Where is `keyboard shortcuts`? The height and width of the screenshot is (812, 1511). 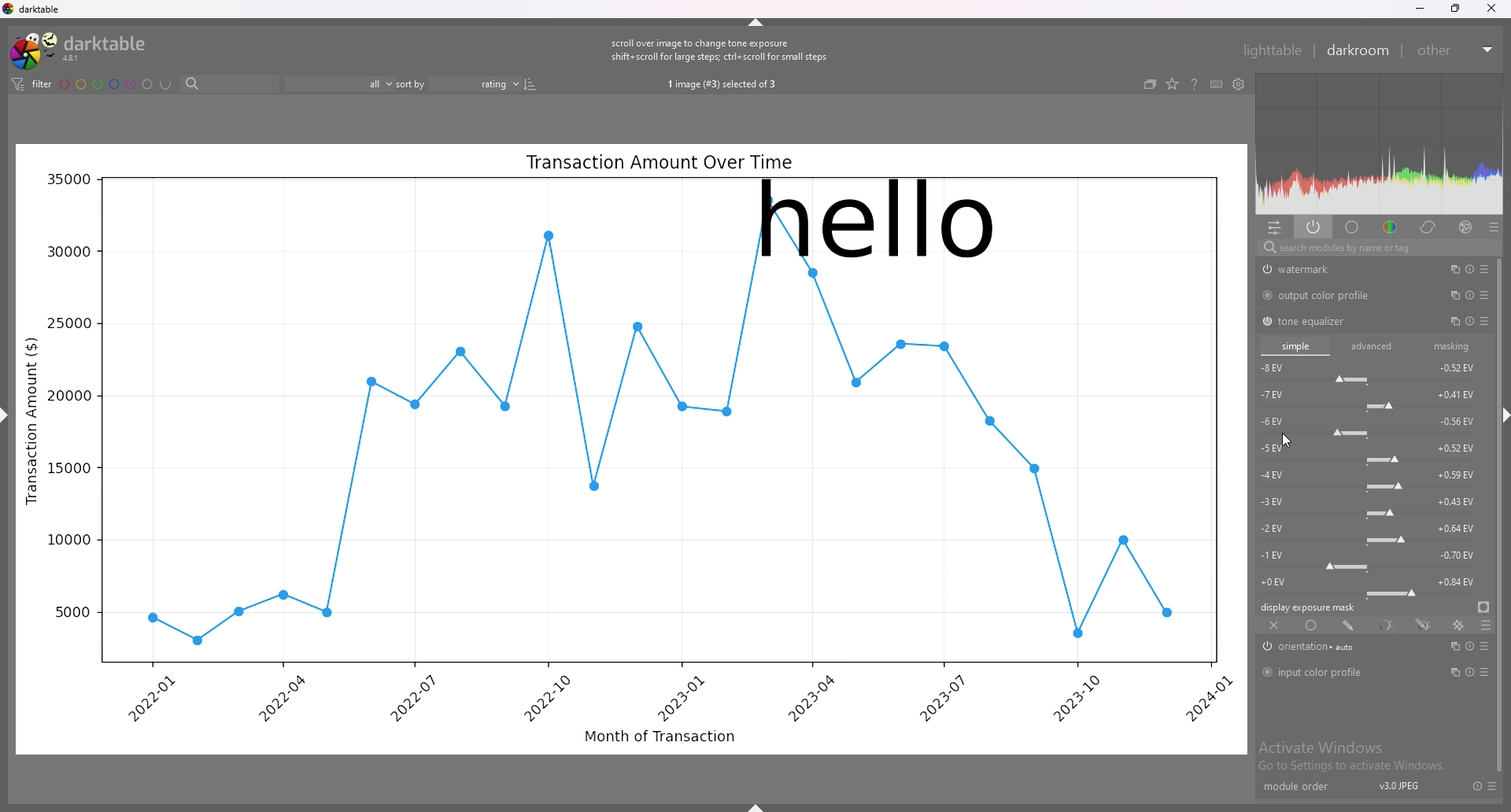 keyboard shortcuts is located at coordinates (1216, 84).